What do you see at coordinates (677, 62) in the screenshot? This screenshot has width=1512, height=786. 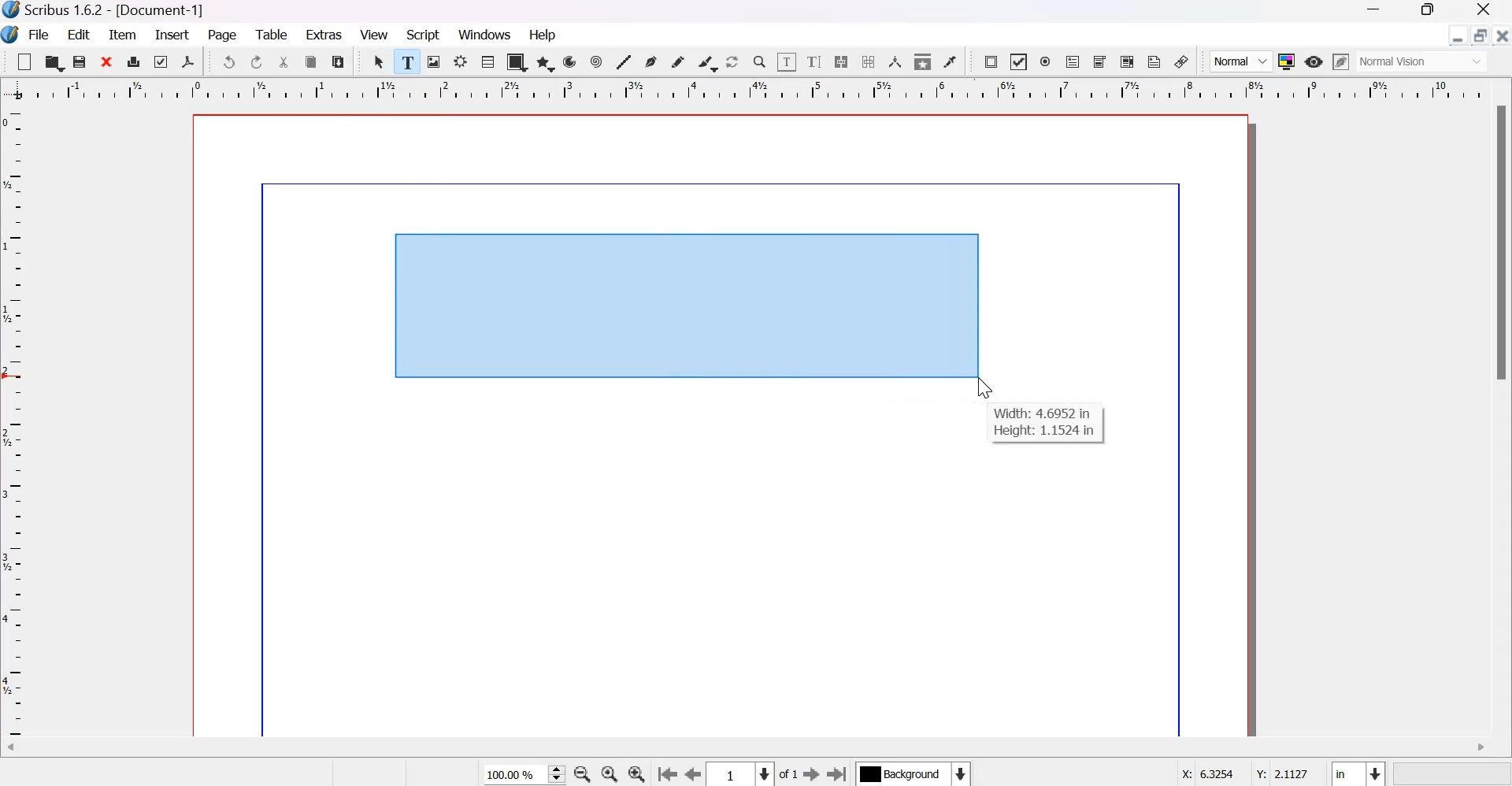 I see `Freehand line` at bounding box center [677, 62].